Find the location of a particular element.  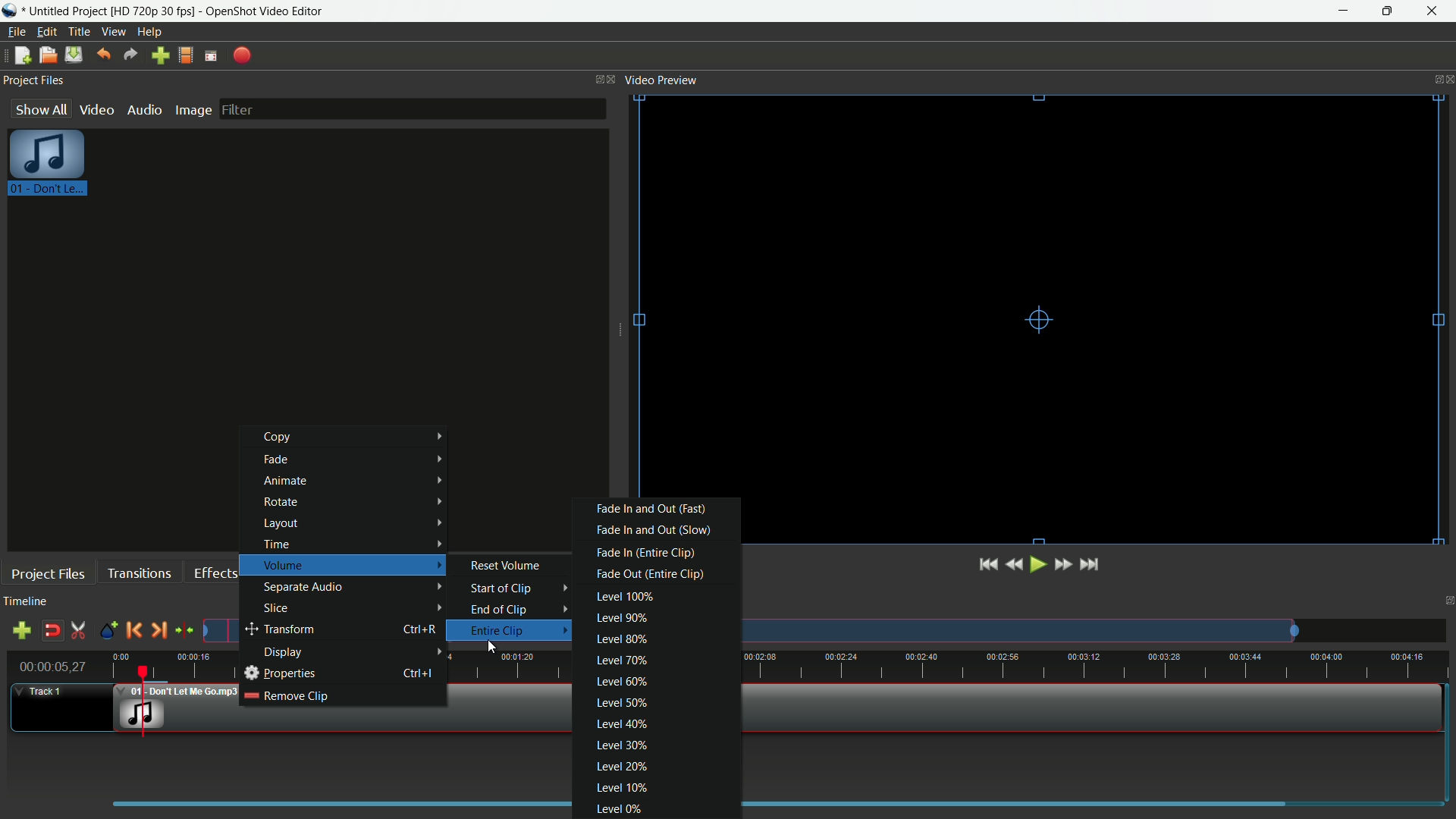

close project files is located at coordinates (613, 78).